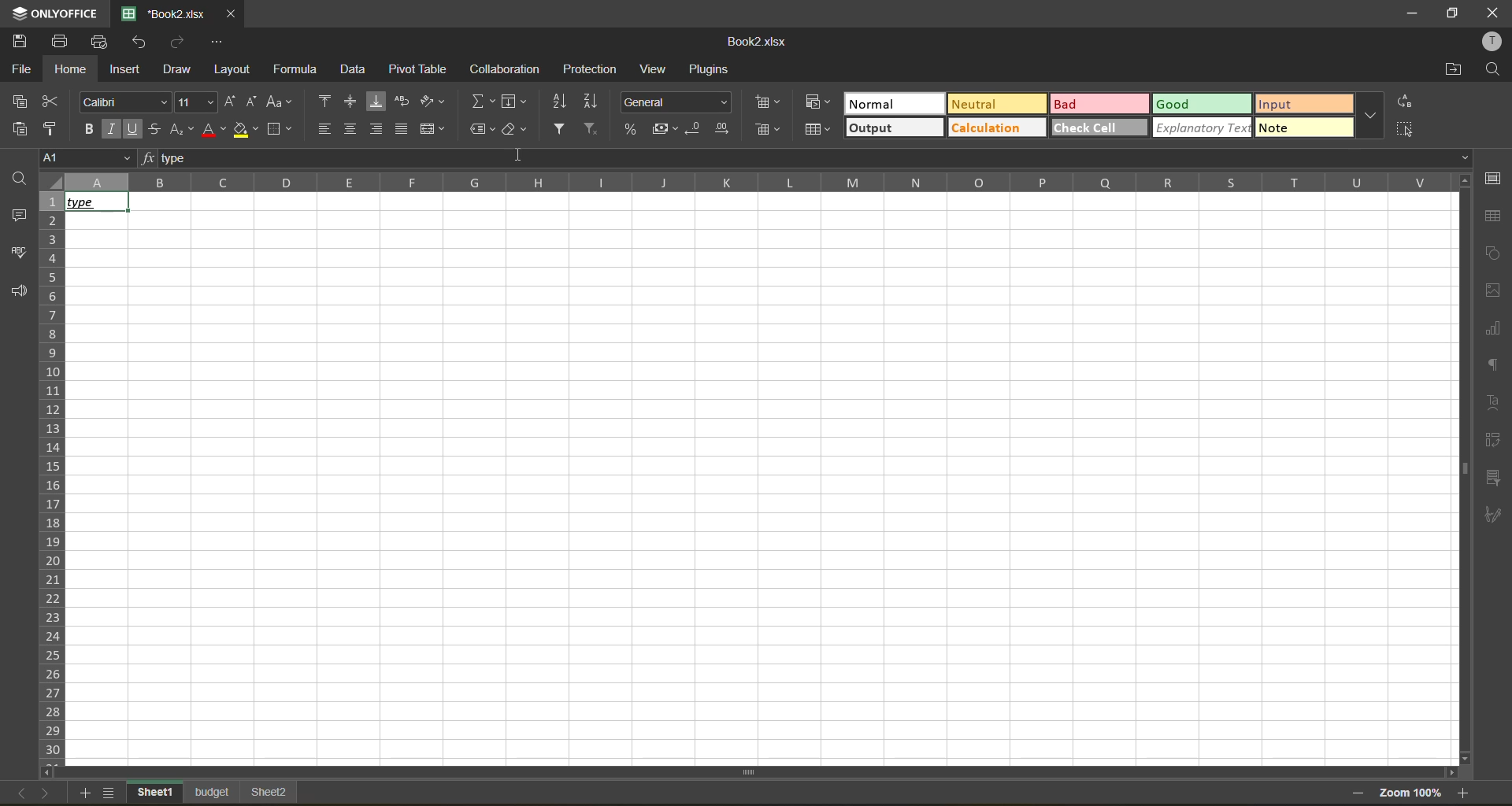  What do you see at coordinates (513, 102) in the screenshot?
I see `fields` at bounding box center [513, 102].